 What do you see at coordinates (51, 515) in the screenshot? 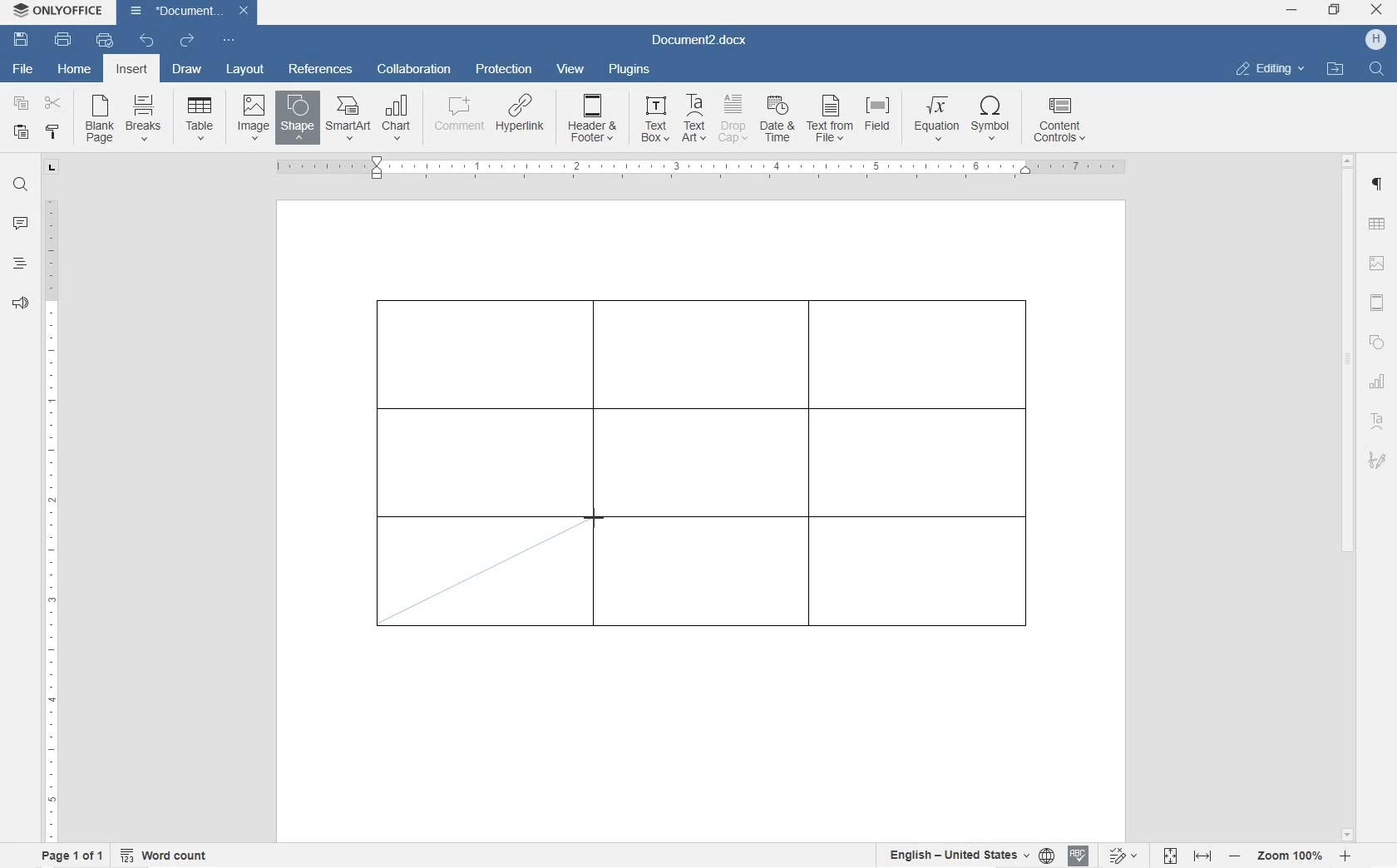
I see `ruler` at bounding box center [51, 515].